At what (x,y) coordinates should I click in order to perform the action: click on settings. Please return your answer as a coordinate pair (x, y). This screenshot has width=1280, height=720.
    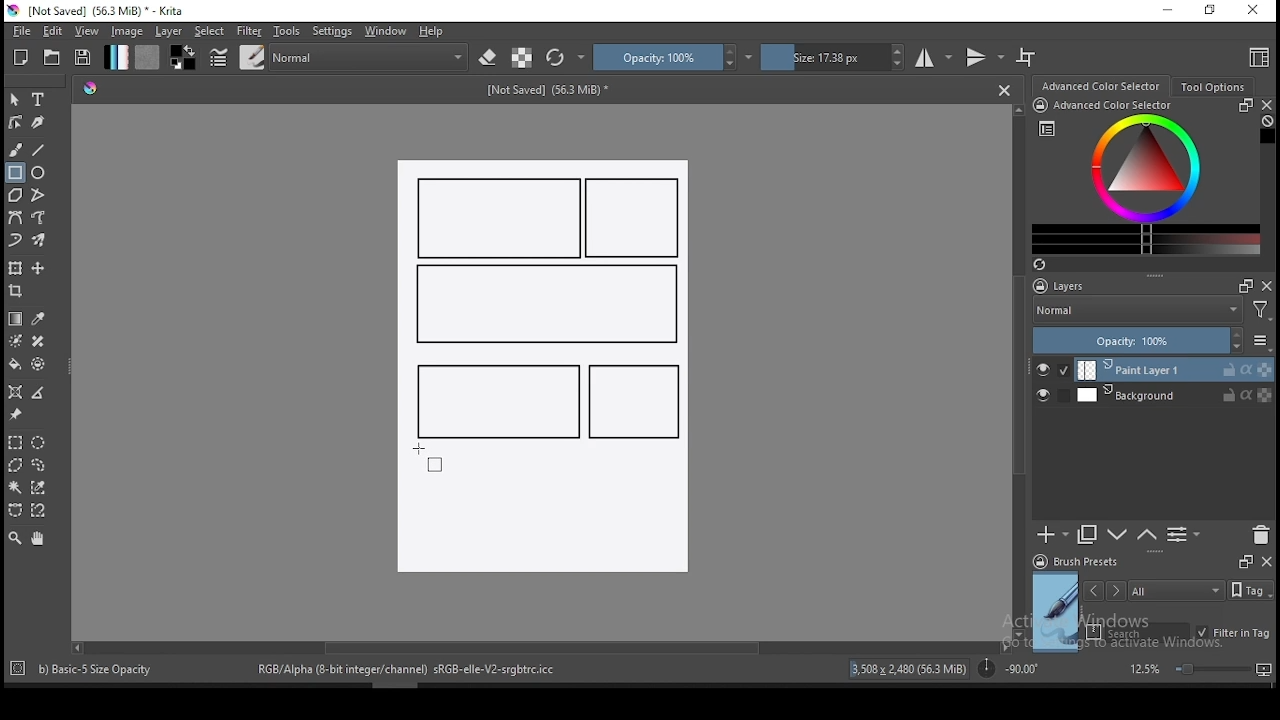
    Looking at the image, I should click on (332, 31).